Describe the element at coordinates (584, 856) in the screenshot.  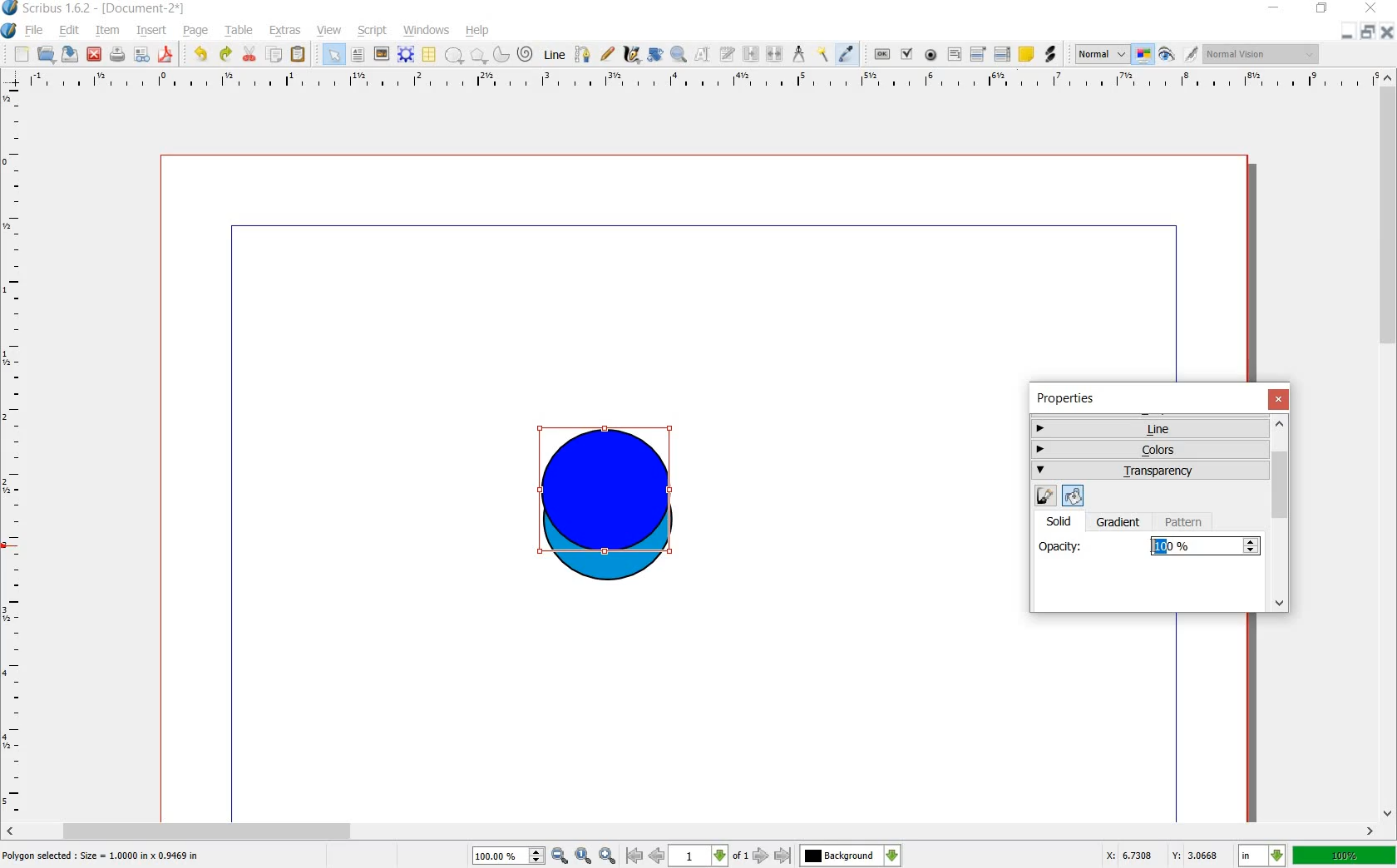
I see `zoom to` at that location.